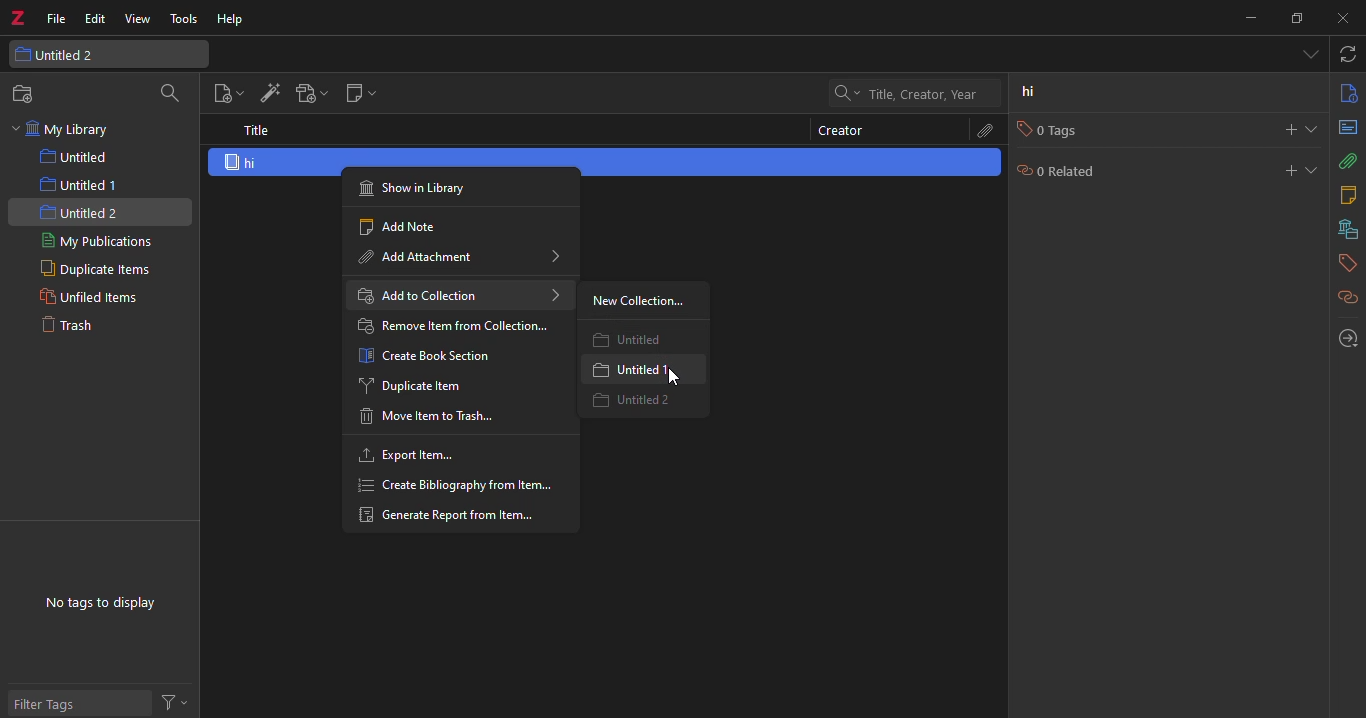 The image size is (1366, 718). I want to click on export item, so click(408, 456).